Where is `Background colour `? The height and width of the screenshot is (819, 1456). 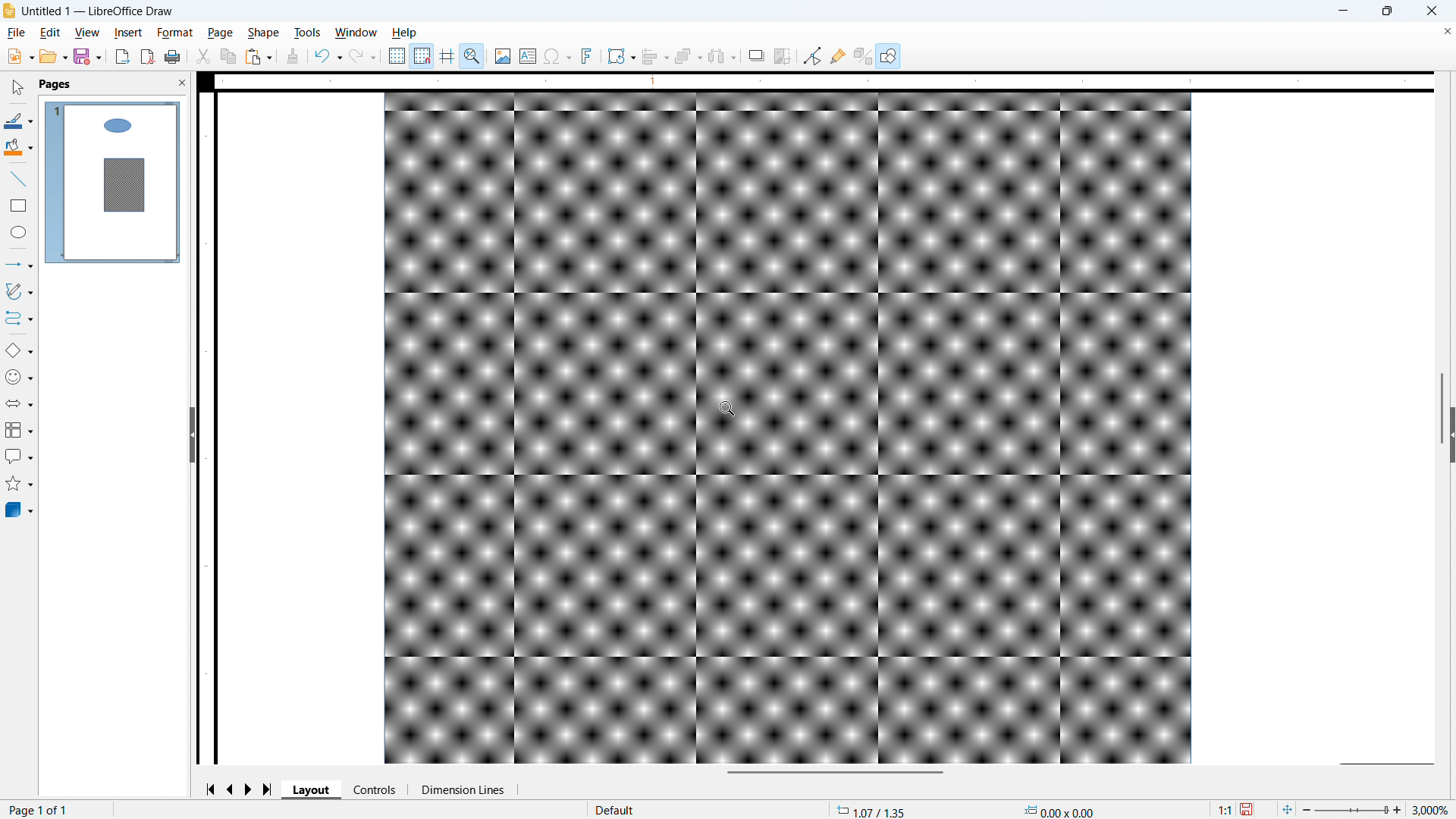
Background colour  is located at coordinates (18, 147).